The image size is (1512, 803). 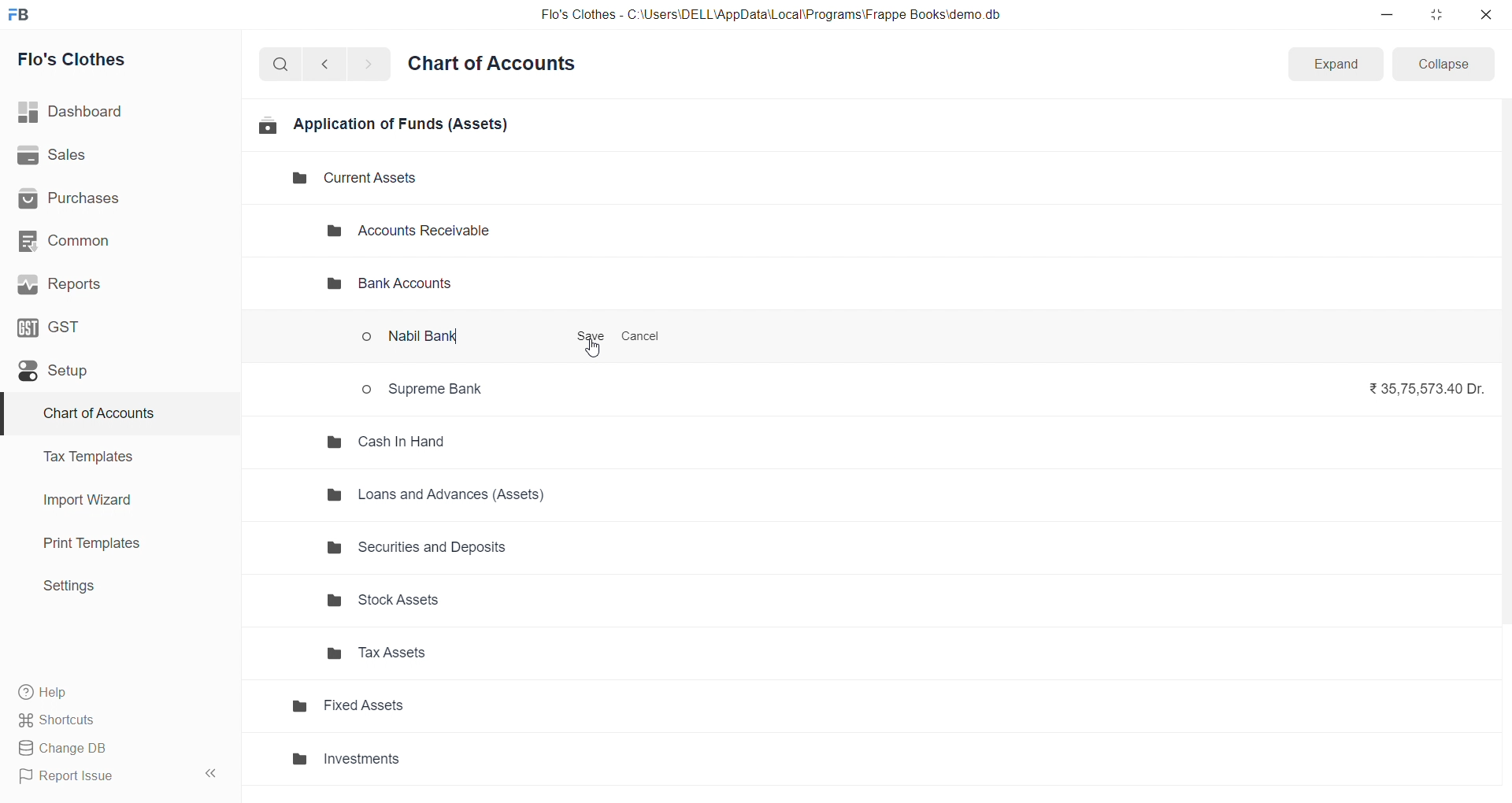 I want to click on Accounts Receivable, so click(x=422, y=231).